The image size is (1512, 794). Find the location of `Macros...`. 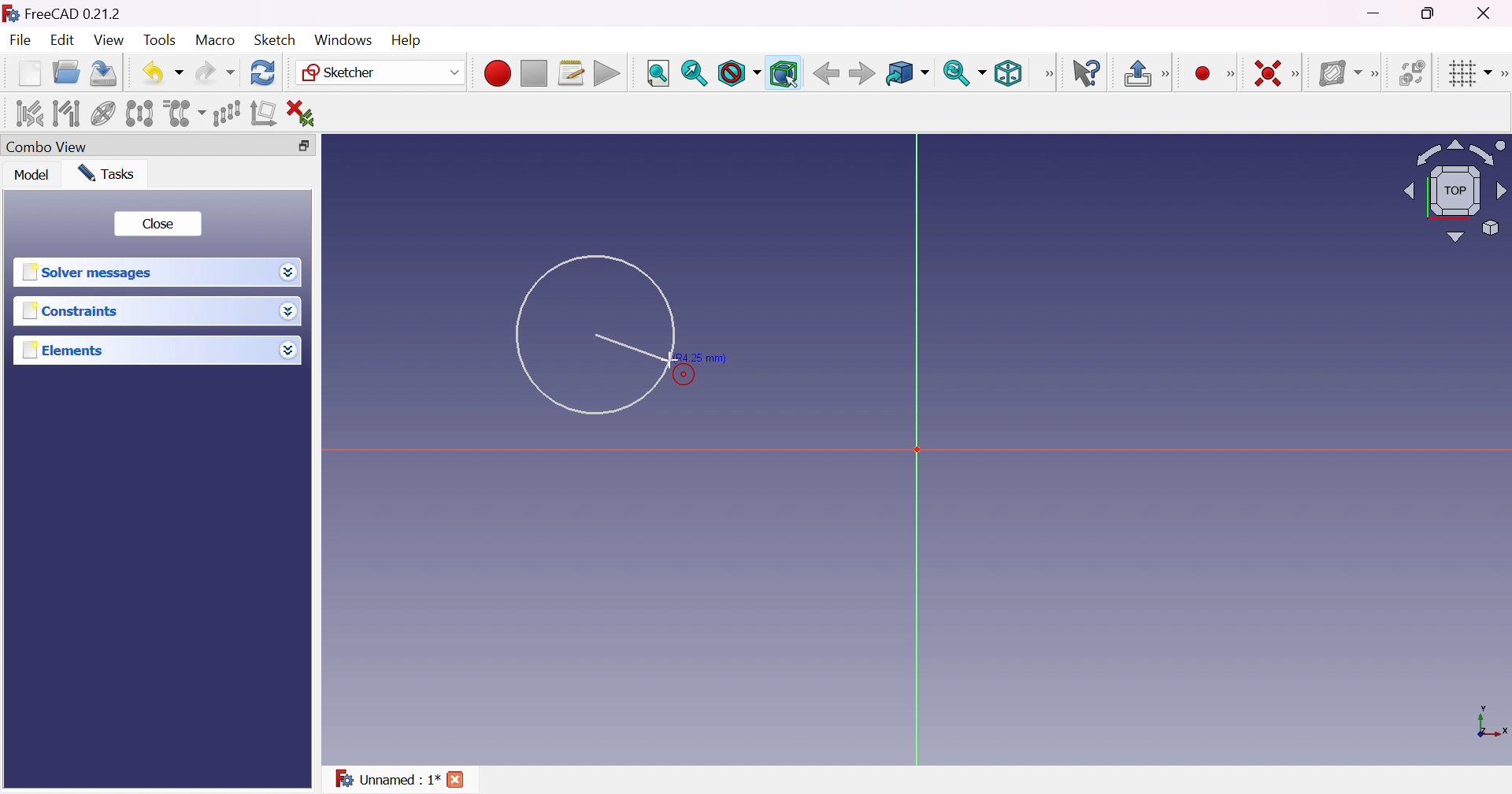

Macros... is located at coordinates (572, 72).